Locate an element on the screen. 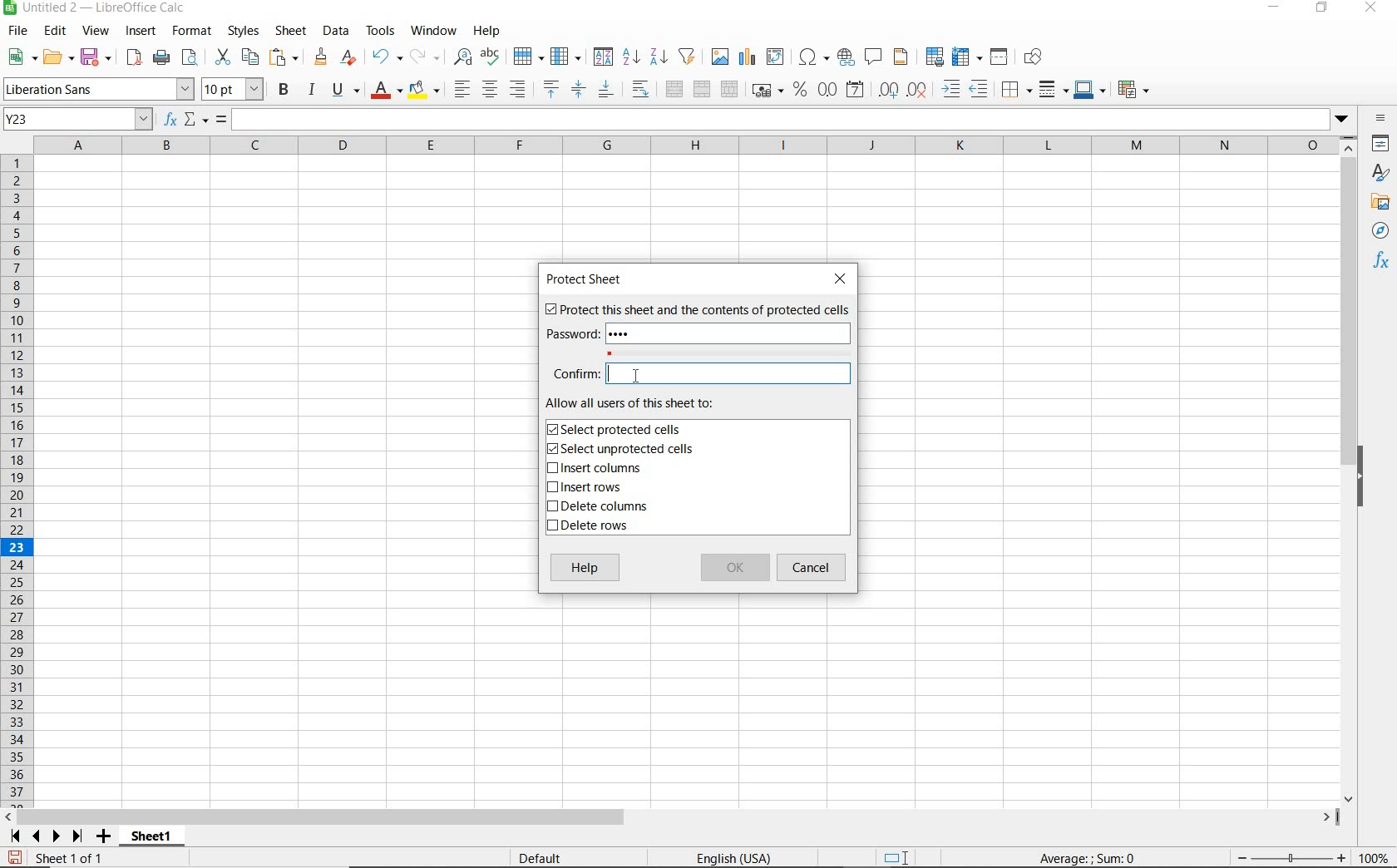  FORMAT AS NUMBER is located at coordinates (828, 89).